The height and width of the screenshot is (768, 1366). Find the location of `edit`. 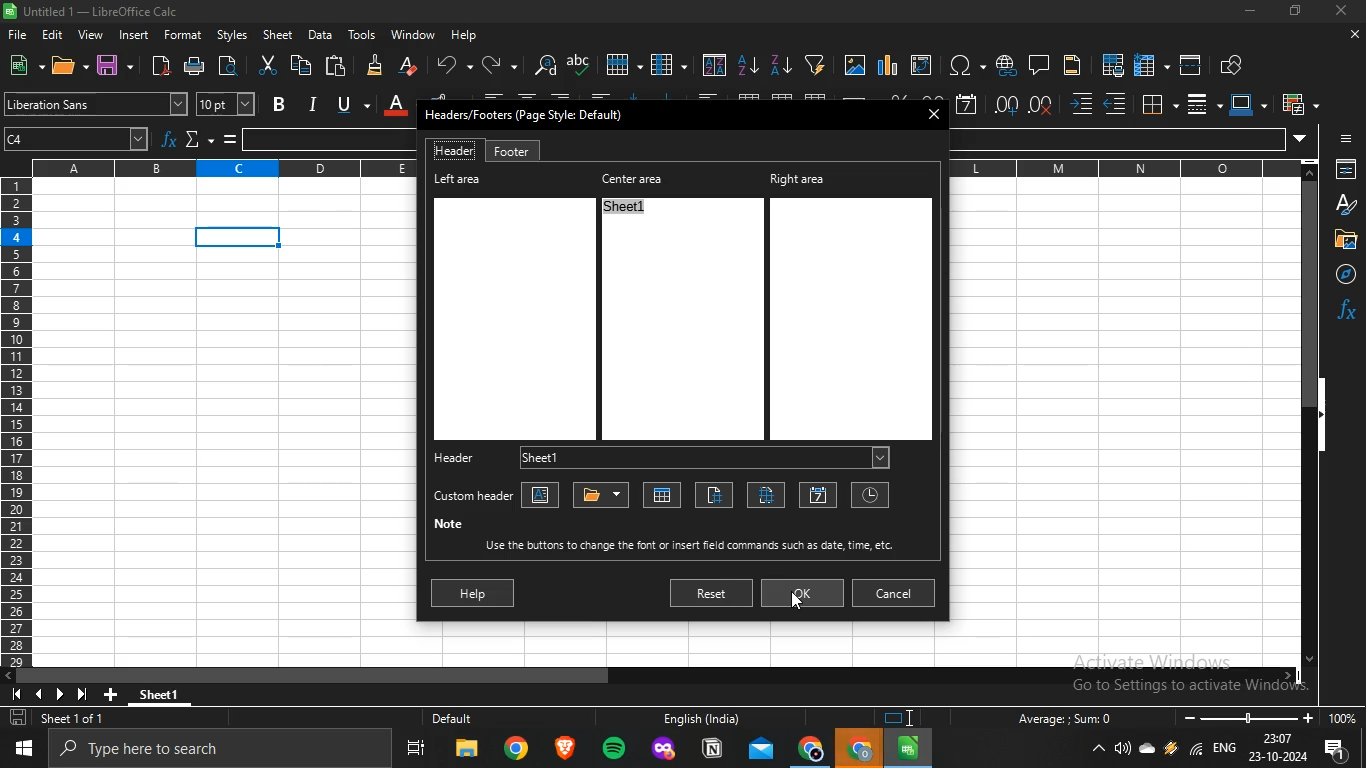

edit is located at coordinates (55, 33).